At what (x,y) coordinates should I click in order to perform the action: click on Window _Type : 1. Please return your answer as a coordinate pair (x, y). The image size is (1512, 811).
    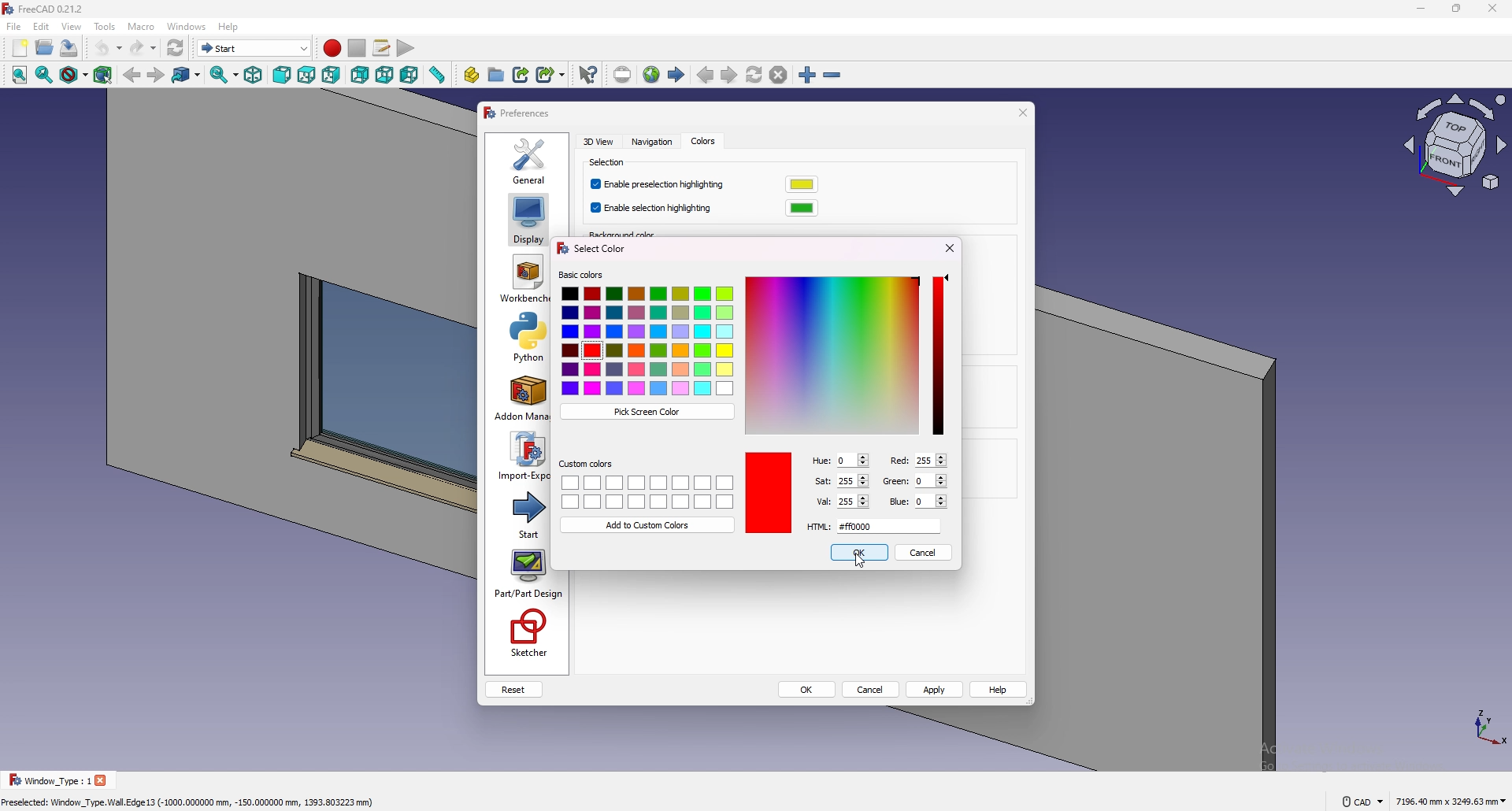
    Looking at the image, I should click on (47, 780).